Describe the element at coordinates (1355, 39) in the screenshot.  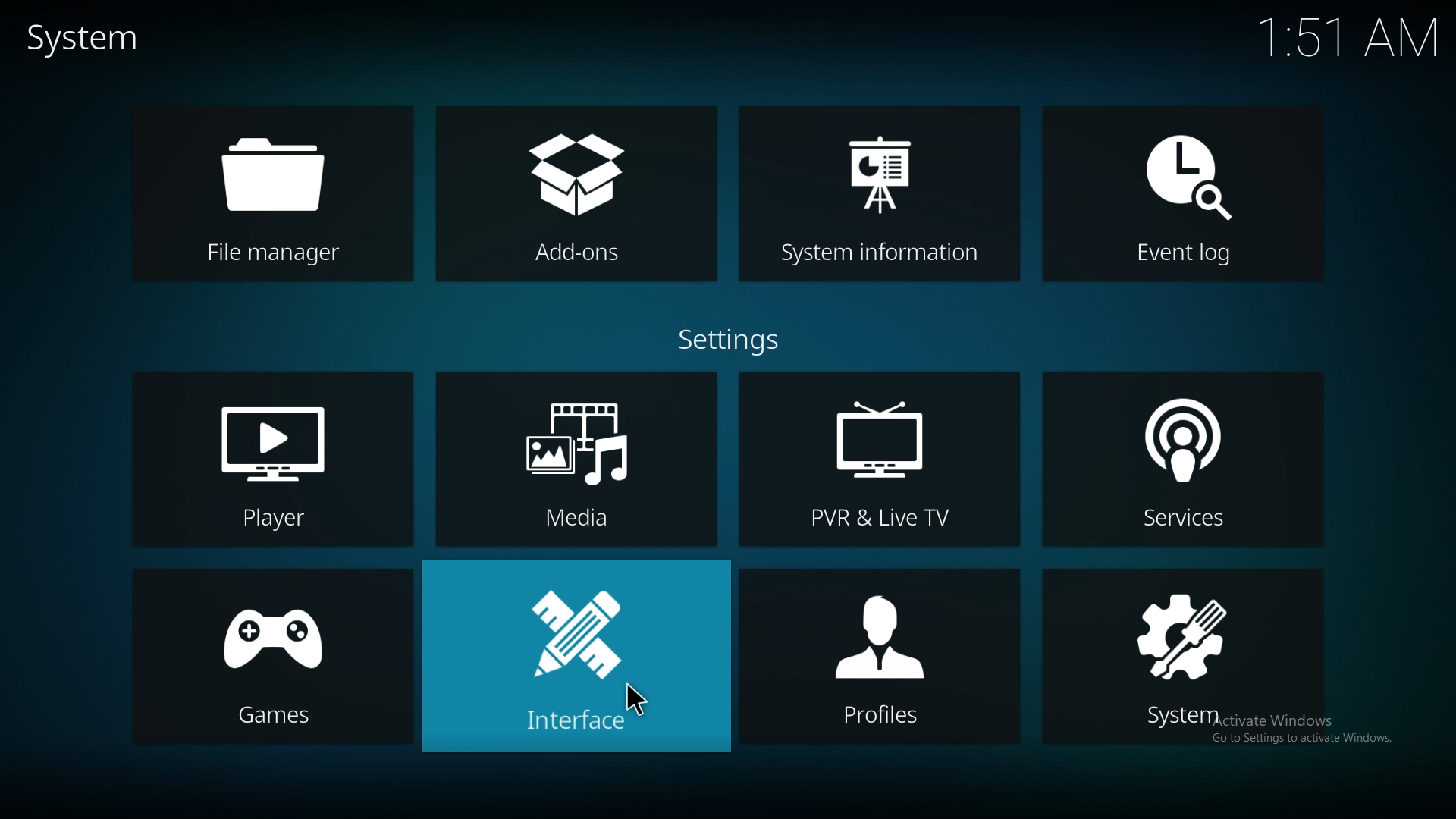
I see `1:97 AM` at that location.